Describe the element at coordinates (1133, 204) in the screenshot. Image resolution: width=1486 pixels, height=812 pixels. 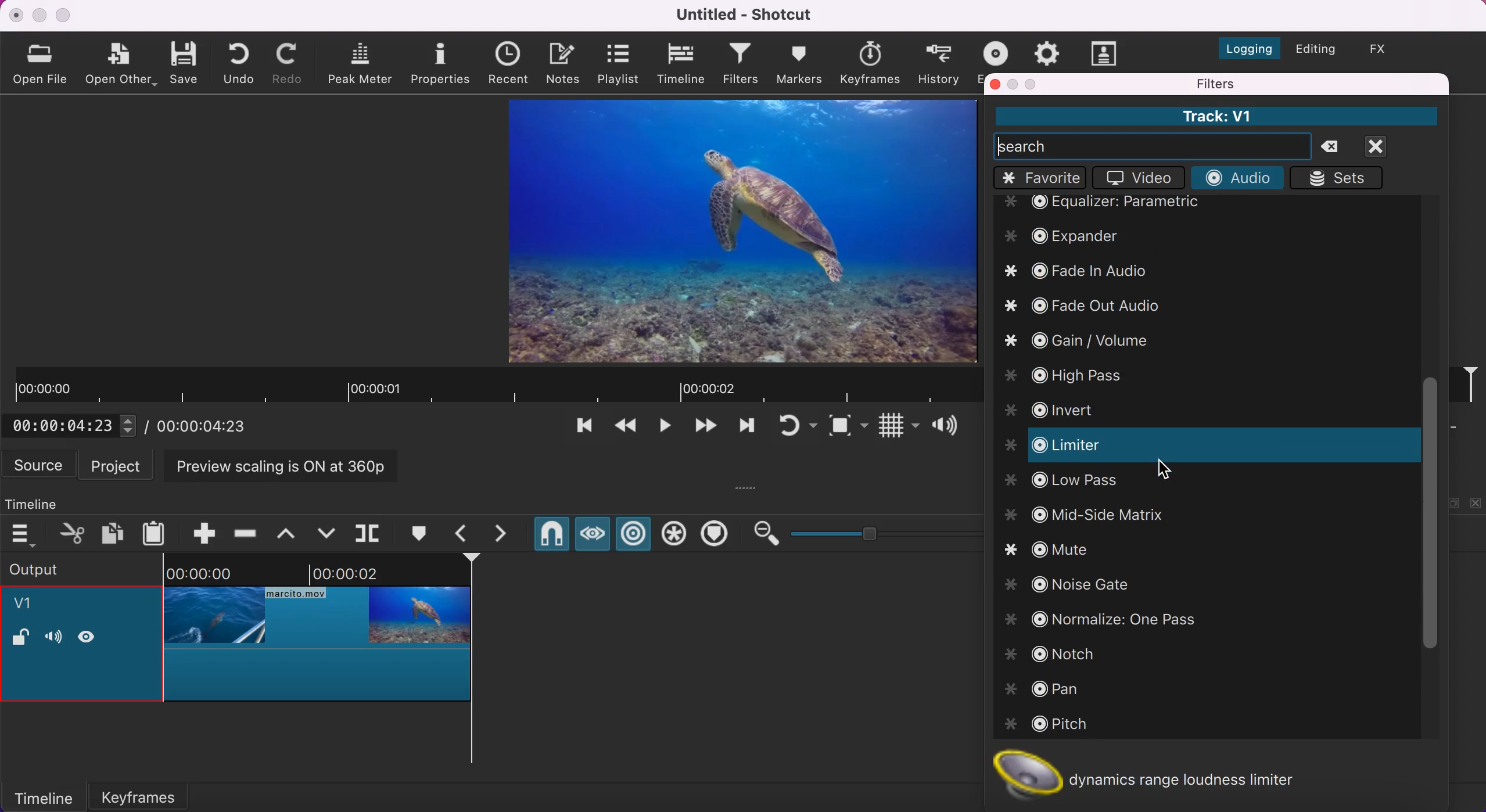
I see `equalizer: parametric` at that location.